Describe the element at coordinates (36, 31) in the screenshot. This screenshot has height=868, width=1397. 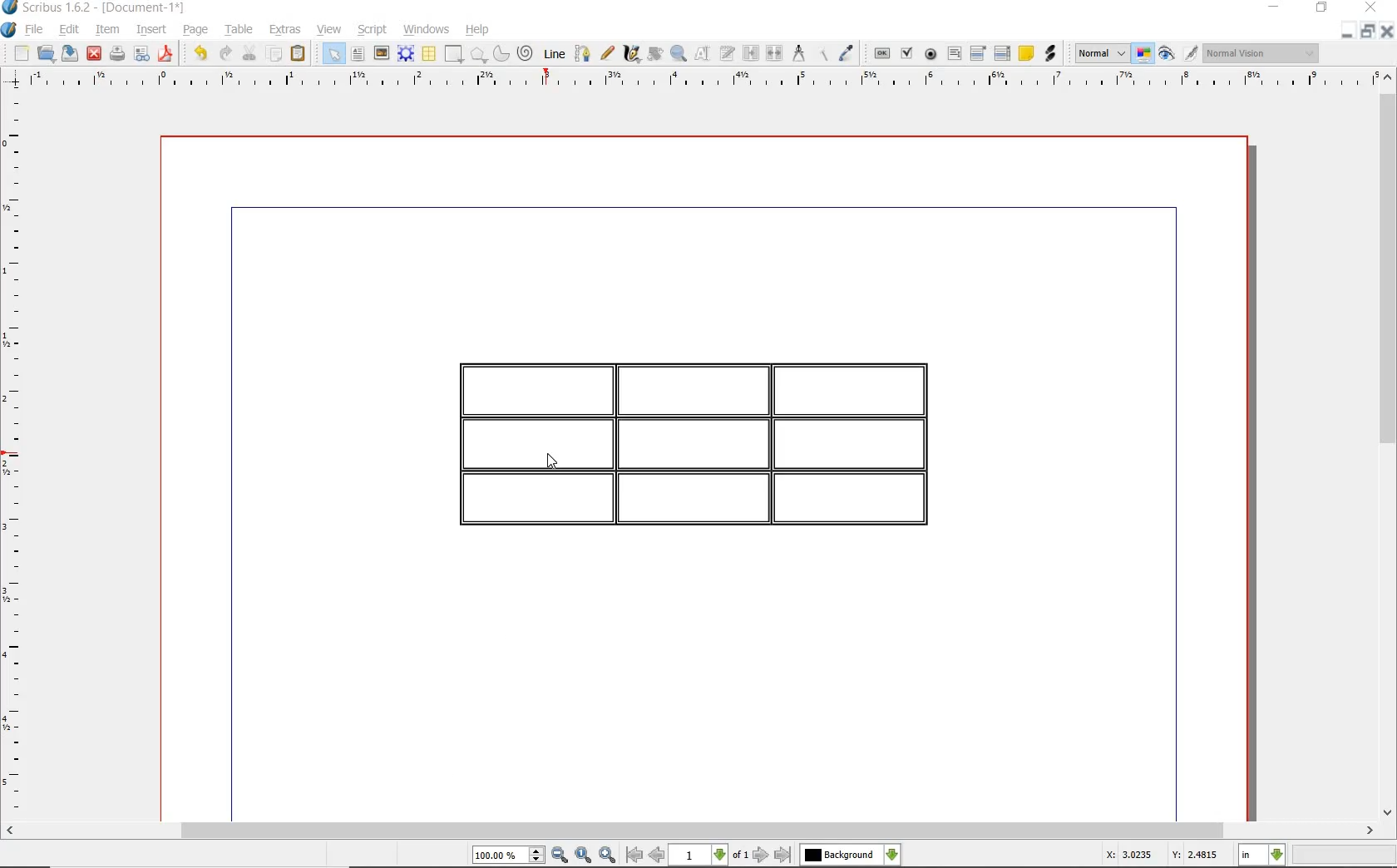
I see `file` at that location.